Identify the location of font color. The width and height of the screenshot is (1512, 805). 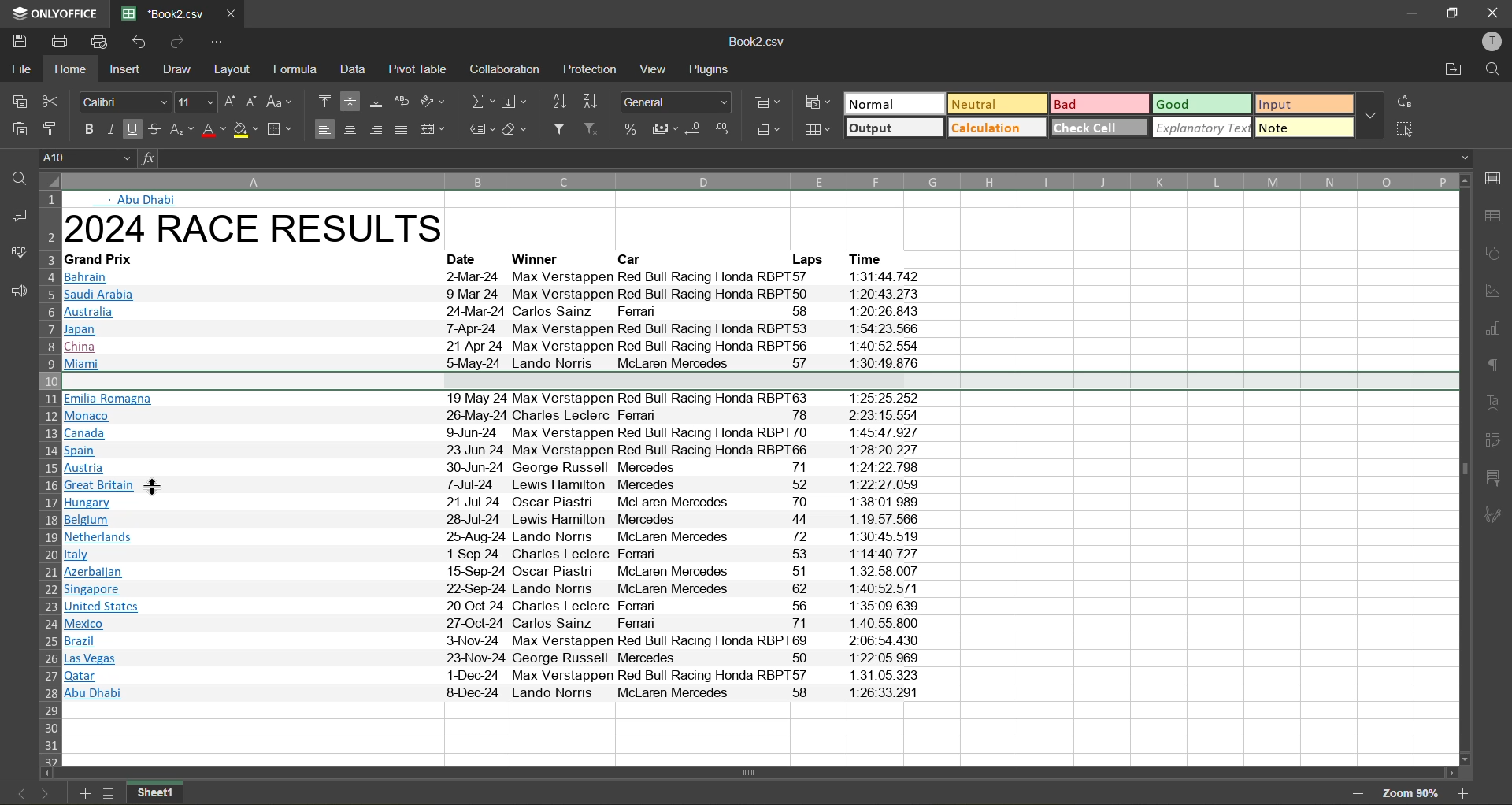
(214, 131).